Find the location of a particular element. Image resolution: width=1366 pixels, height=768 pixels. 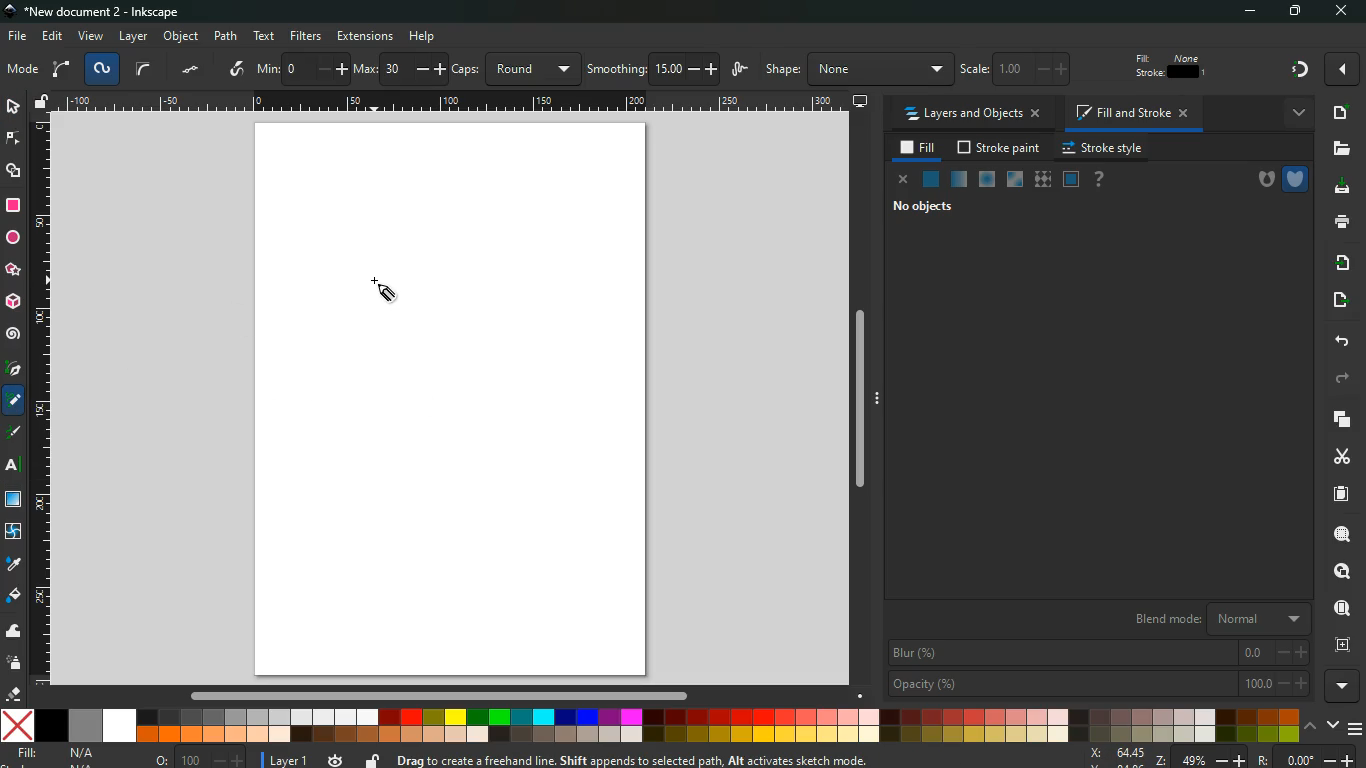

send is located at coordinates (1342, 296).